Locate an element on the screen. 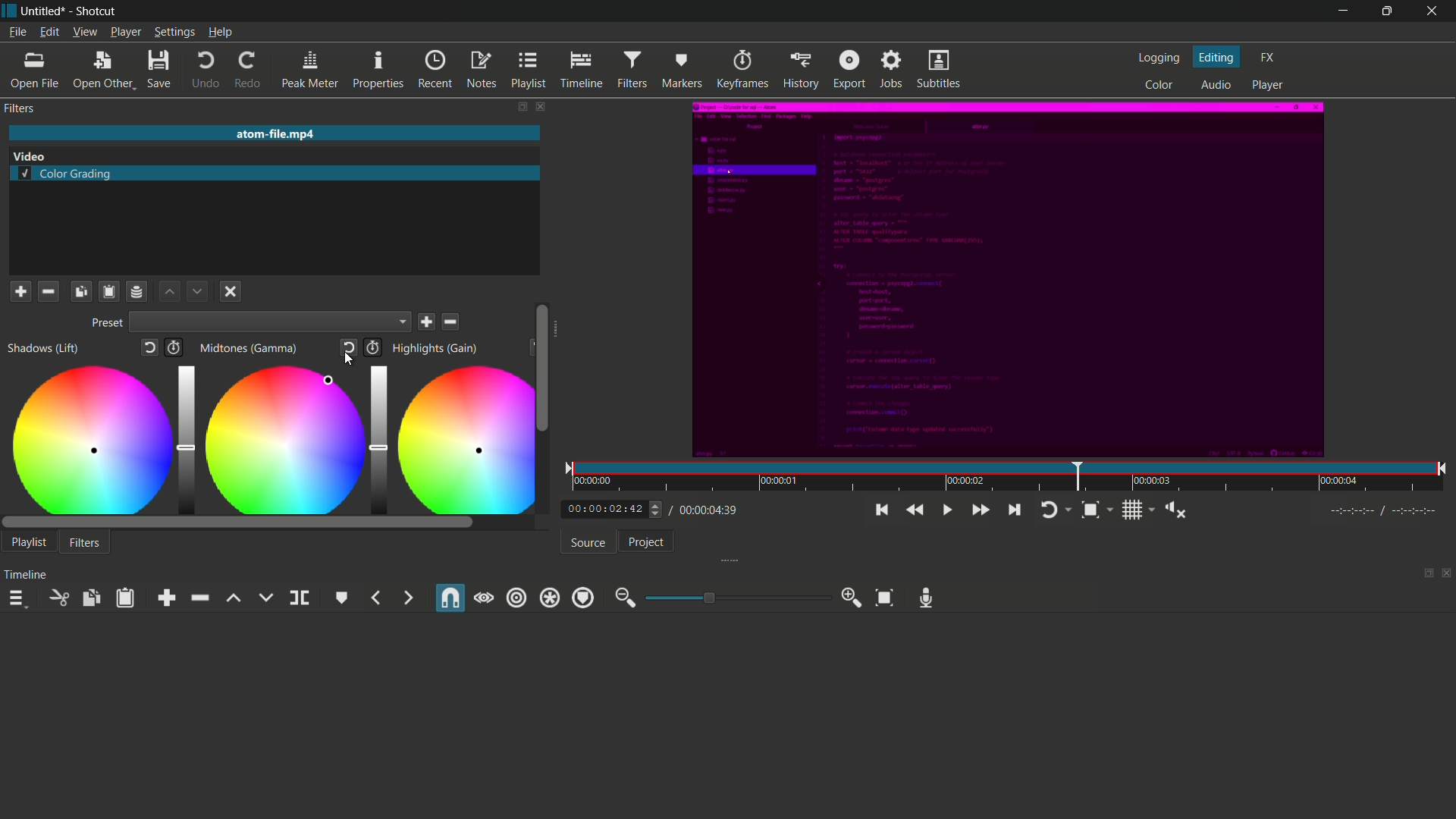  app icon is located at coordinates (9, 11).